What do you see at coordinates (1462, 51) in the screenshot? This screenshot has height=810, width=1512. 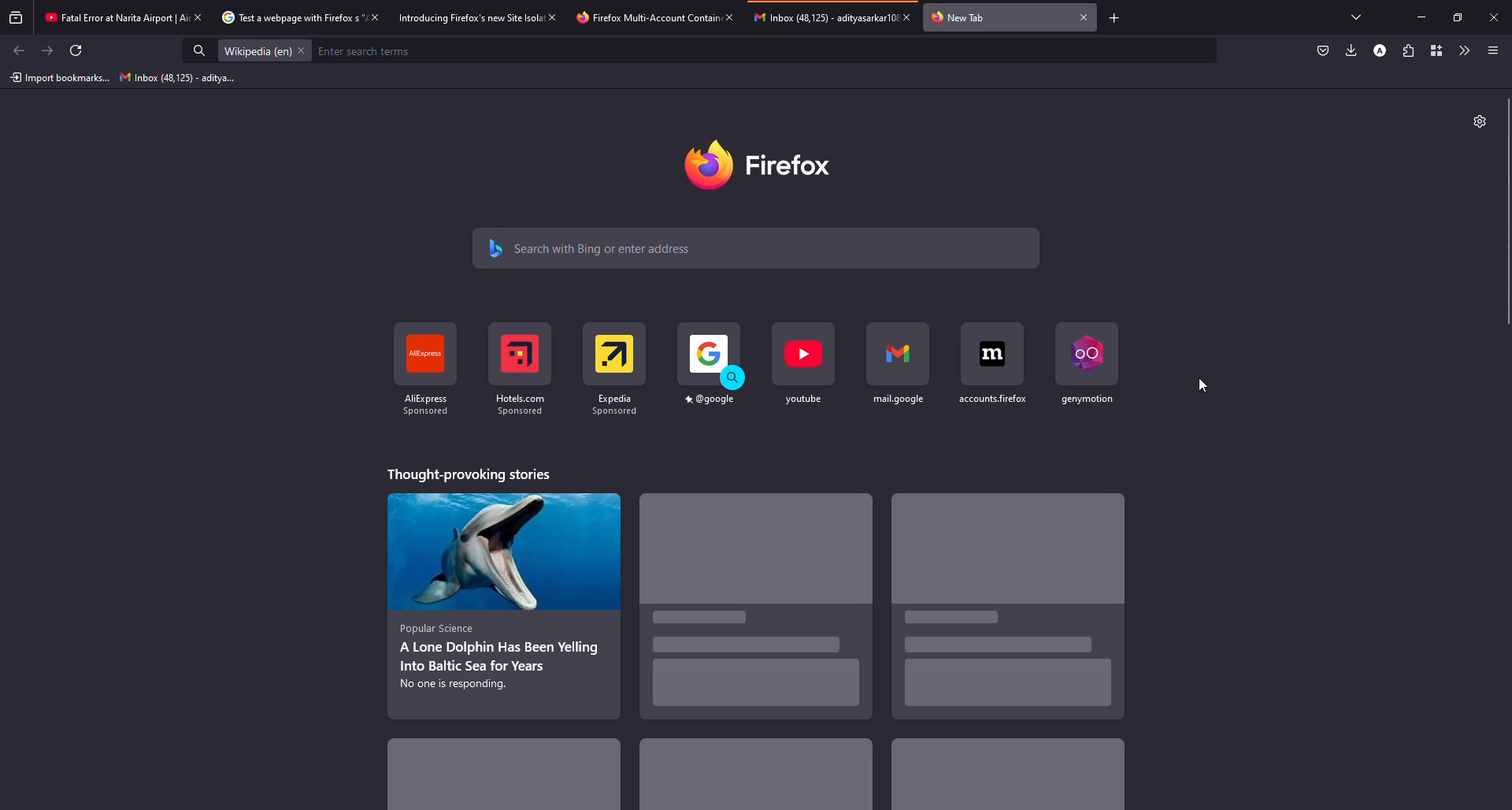 I see `more tools` at bounding box center [1462, 51].